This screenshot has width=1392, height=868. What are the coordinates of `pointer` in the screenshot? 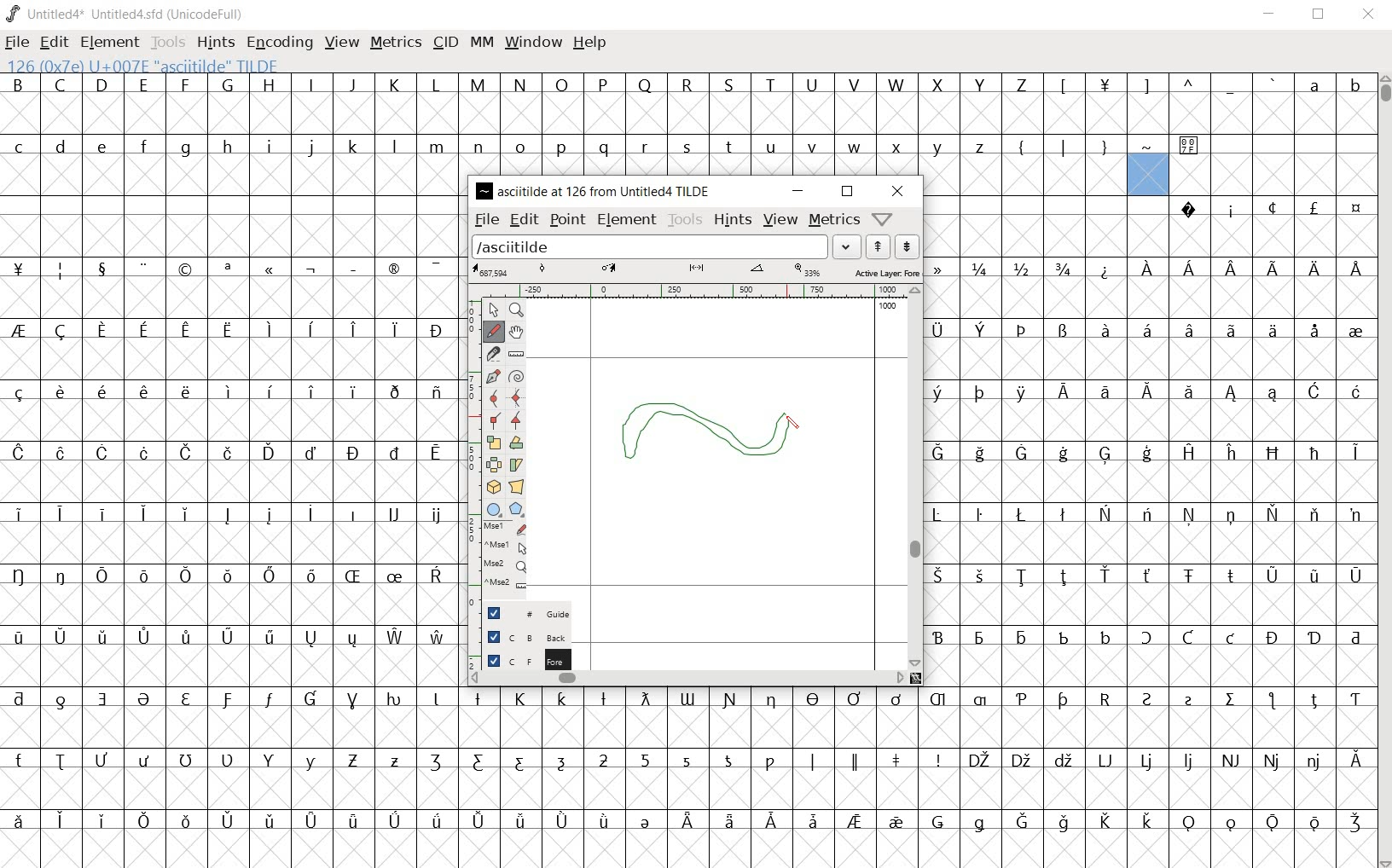 It's located at (493, 310).